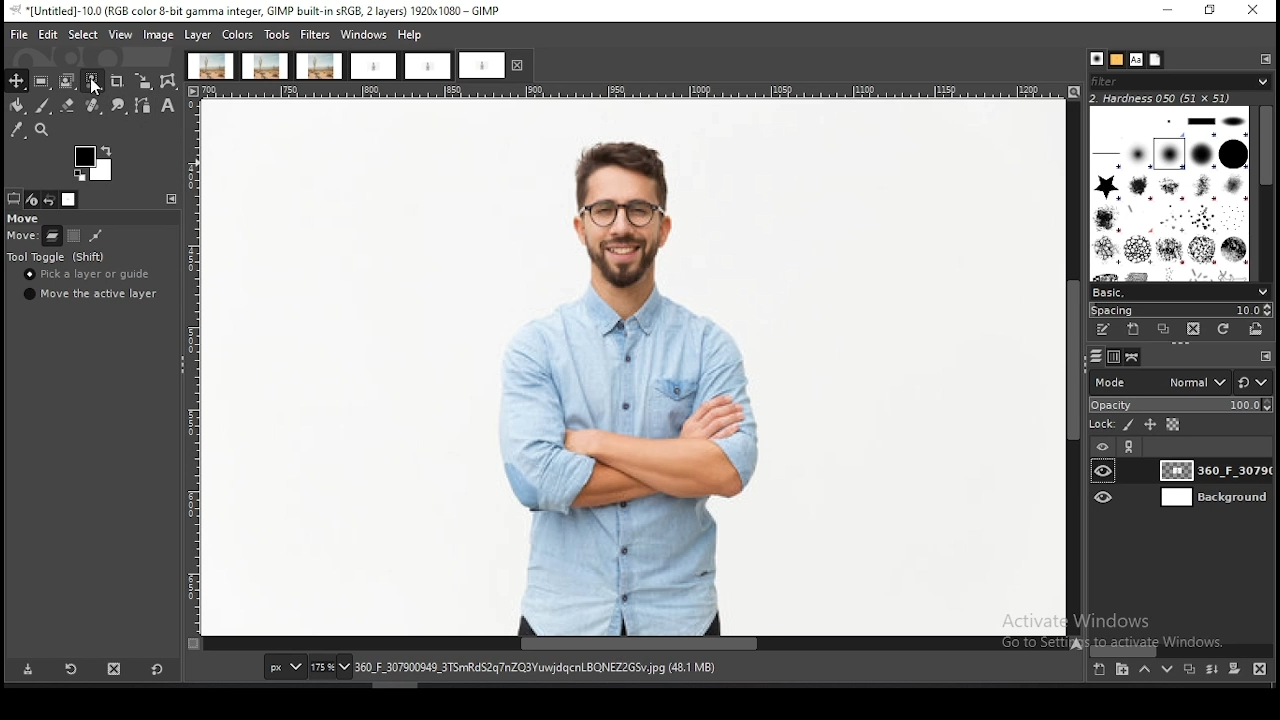 This screenshot has height=720, width=1280. What do you see at coordinates (1234, 668) in the screenshot?
I see `add a mask` at bounding box center [1234, 668].